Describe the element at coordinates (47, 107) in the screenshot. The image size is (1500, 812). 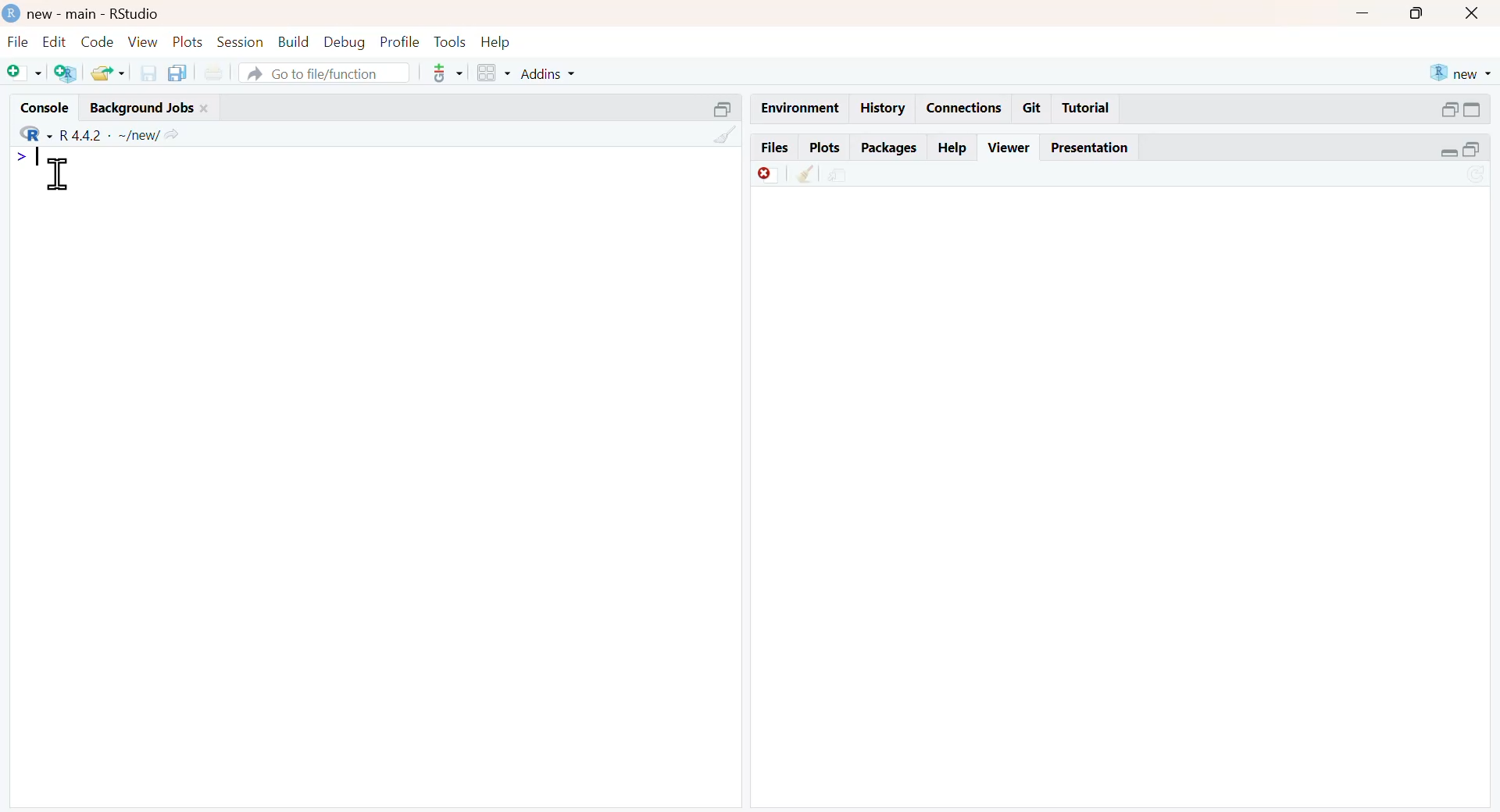
I see `console` at that location.